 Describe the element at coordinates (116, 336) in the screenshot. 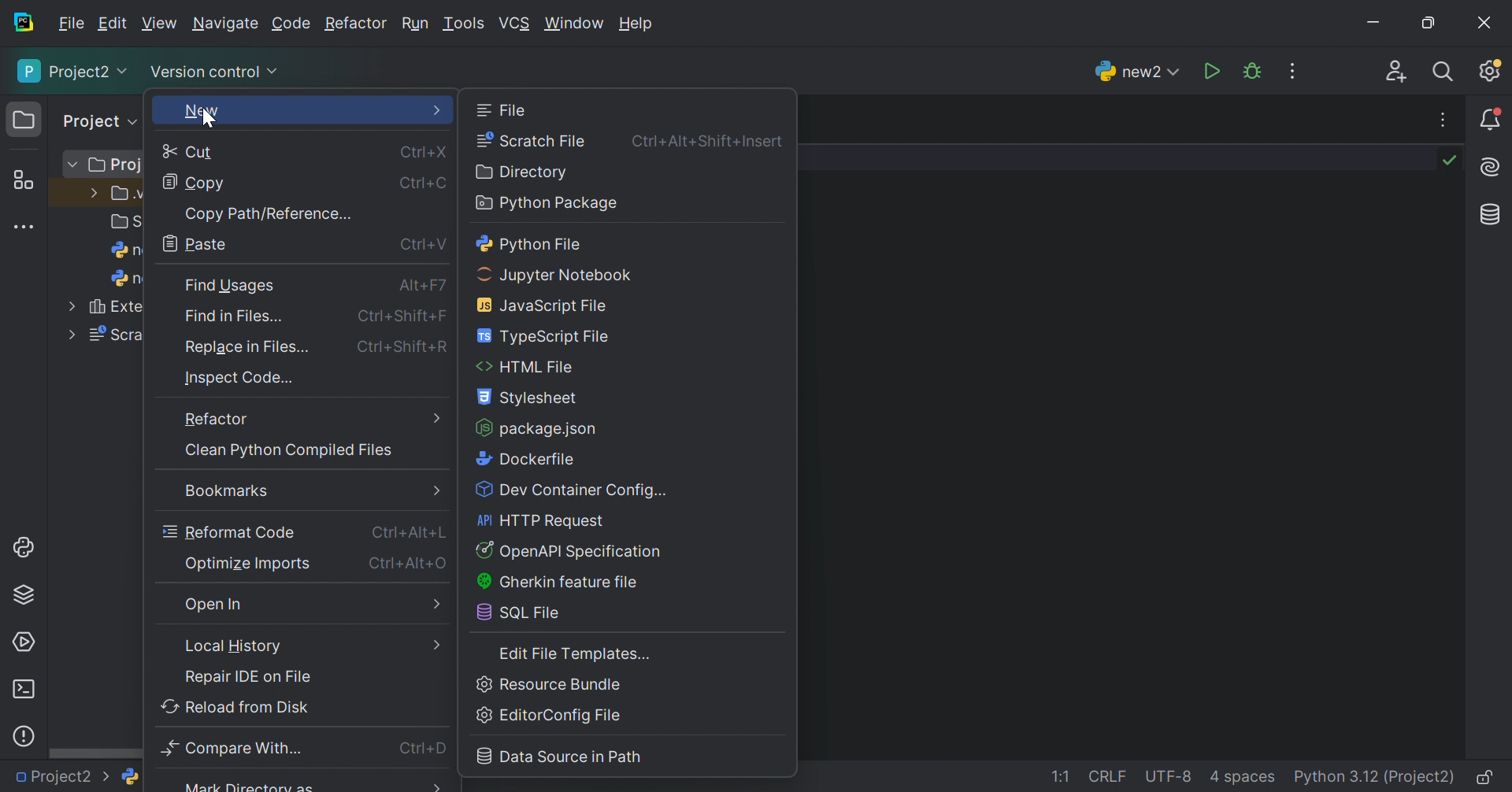

I see `Scra` at that location.